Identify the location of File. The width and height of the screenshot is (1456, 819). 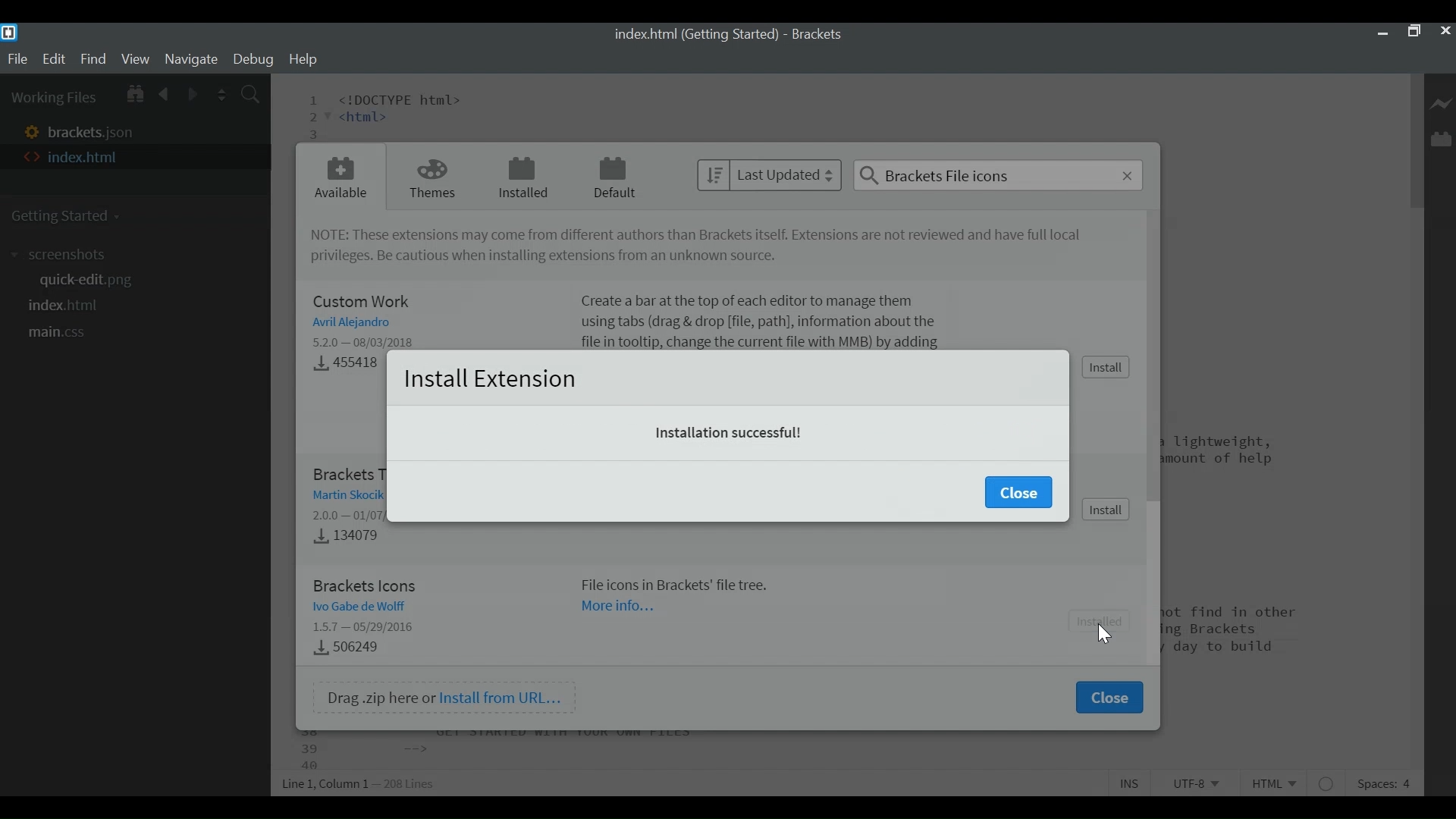
(17, 59).